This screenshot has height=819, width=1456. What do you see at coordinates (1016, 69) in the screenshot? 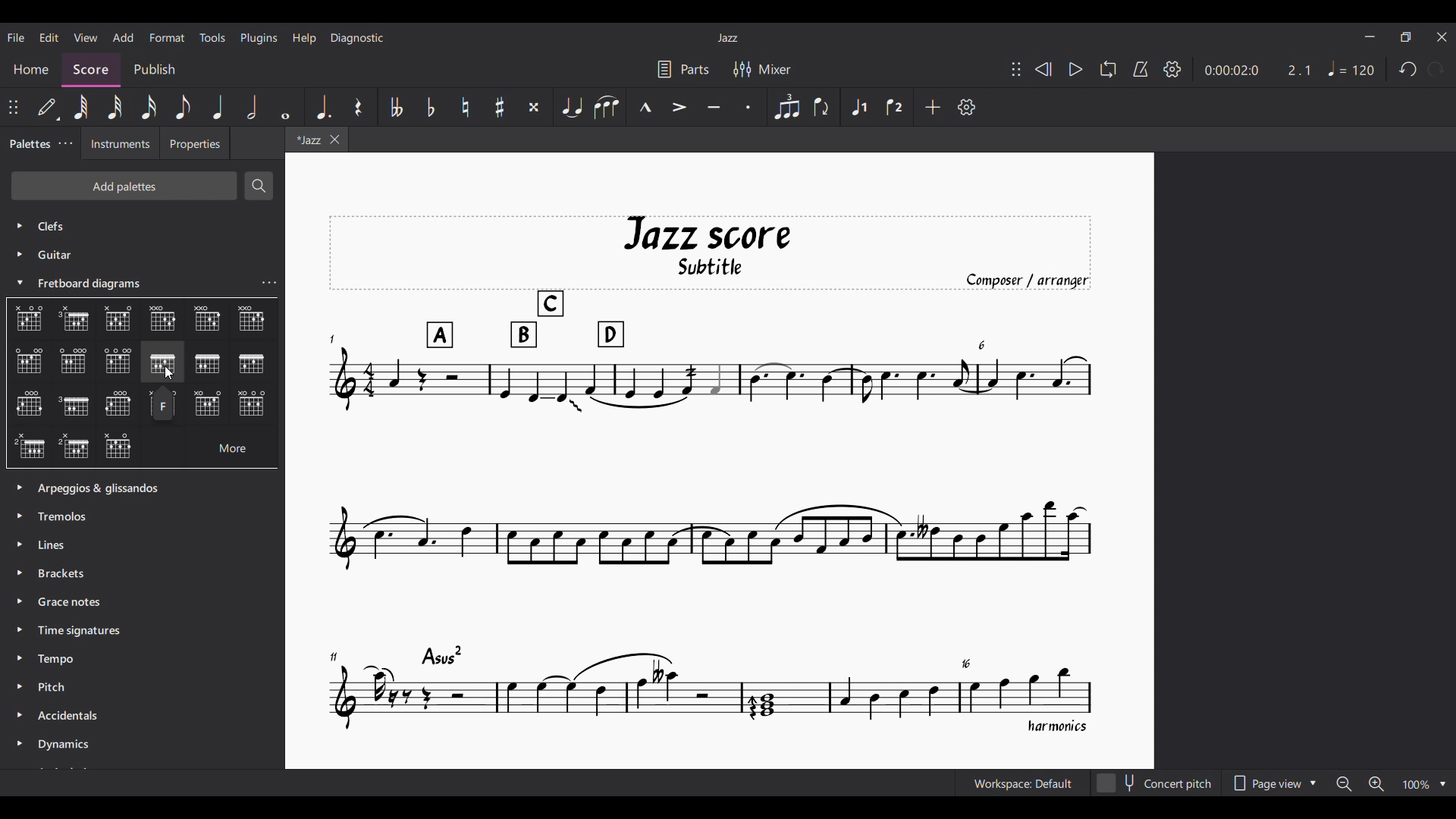
I see `Change position` at bounding box center [1016, 69].